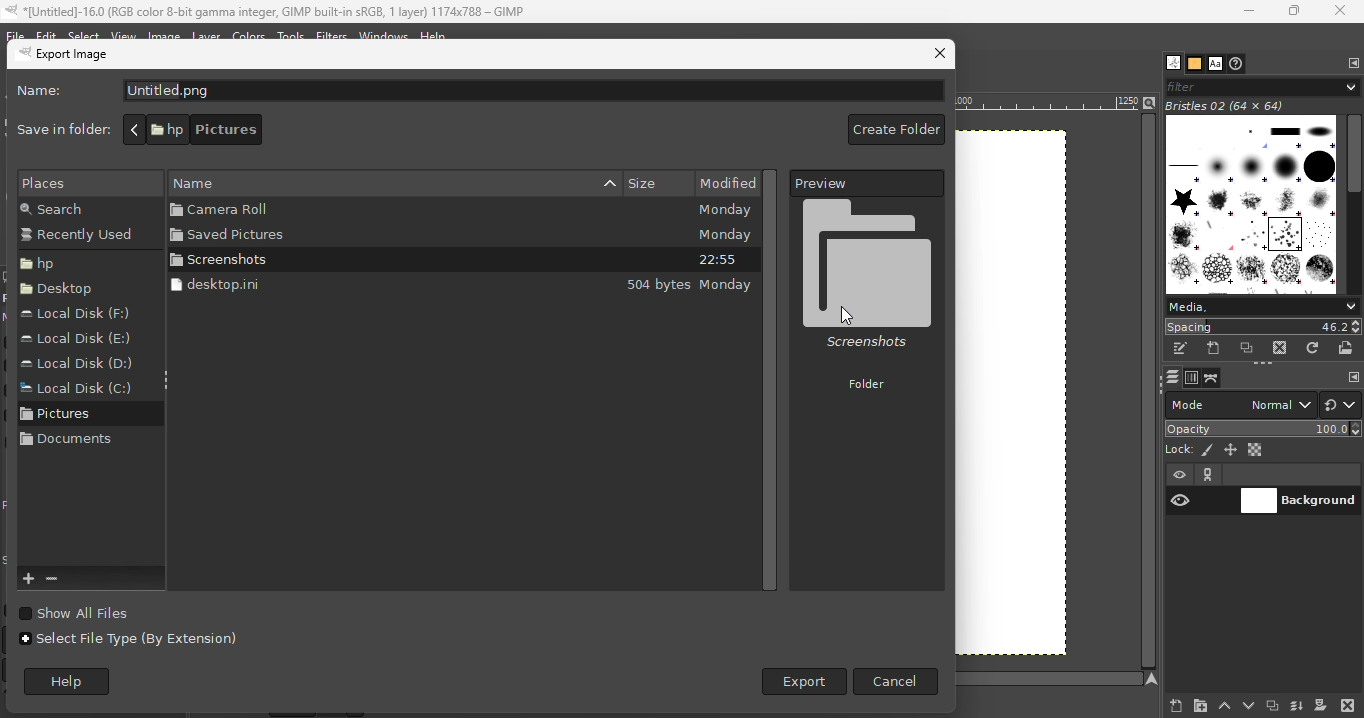 The height and width of the screenshot is (718, 1364). I want to click on hp, so click(165, 128).